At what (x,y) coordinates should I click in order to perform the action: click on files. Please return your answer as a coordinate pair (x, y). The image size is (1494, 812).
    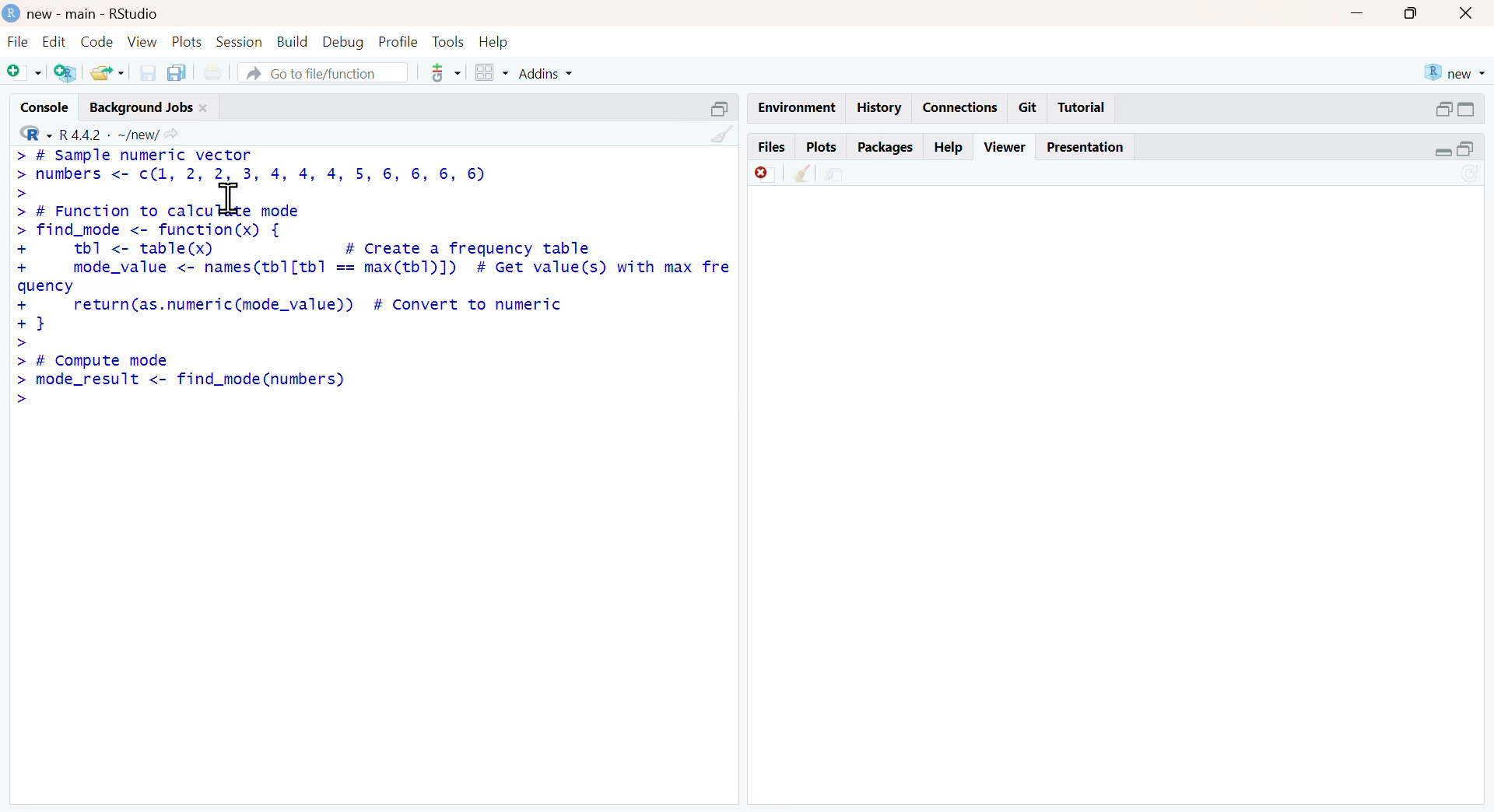
    Looking at the image, I should click on (773, 145).